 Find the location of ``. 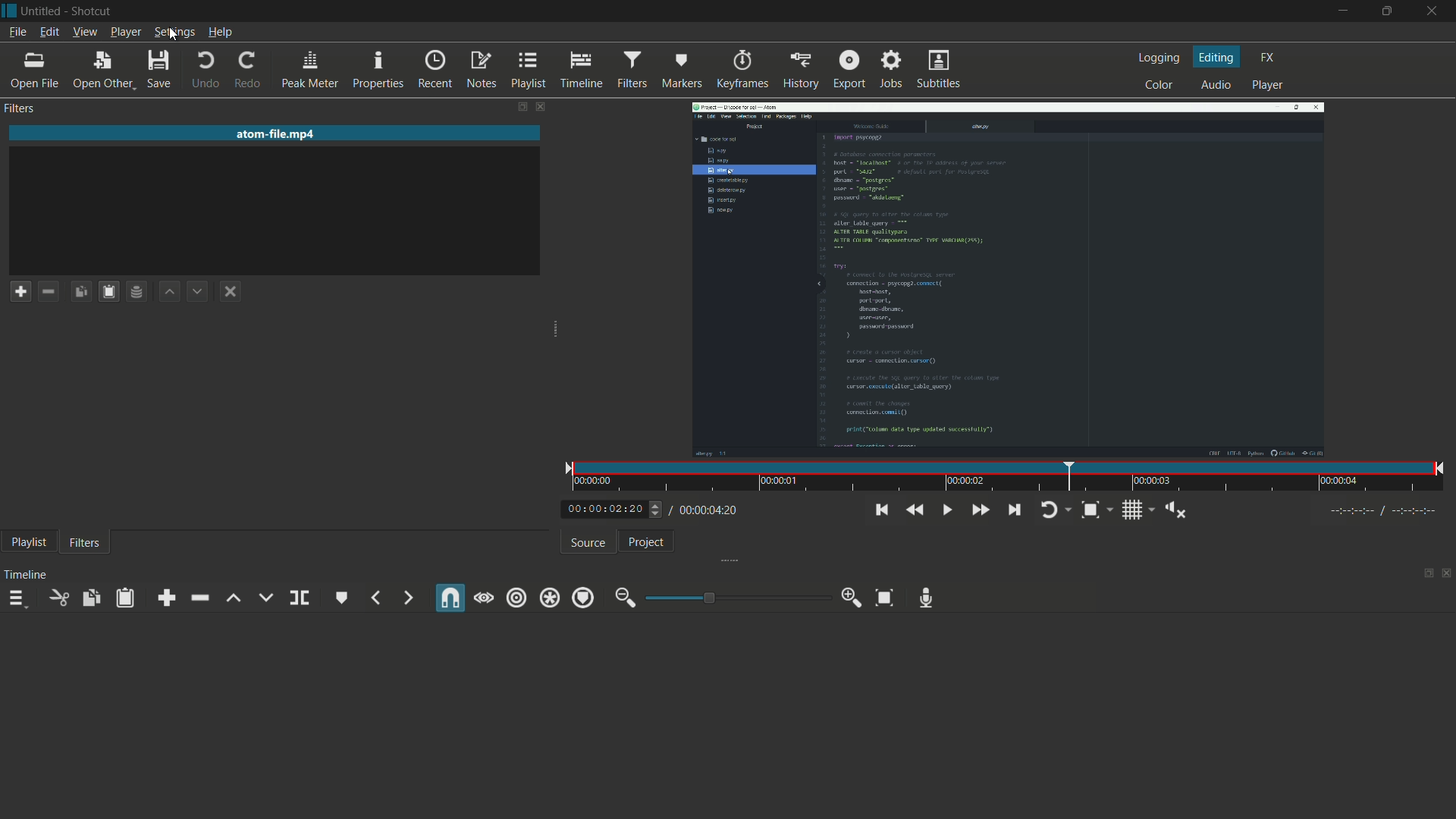

 is located at coordinates (1389, 511).